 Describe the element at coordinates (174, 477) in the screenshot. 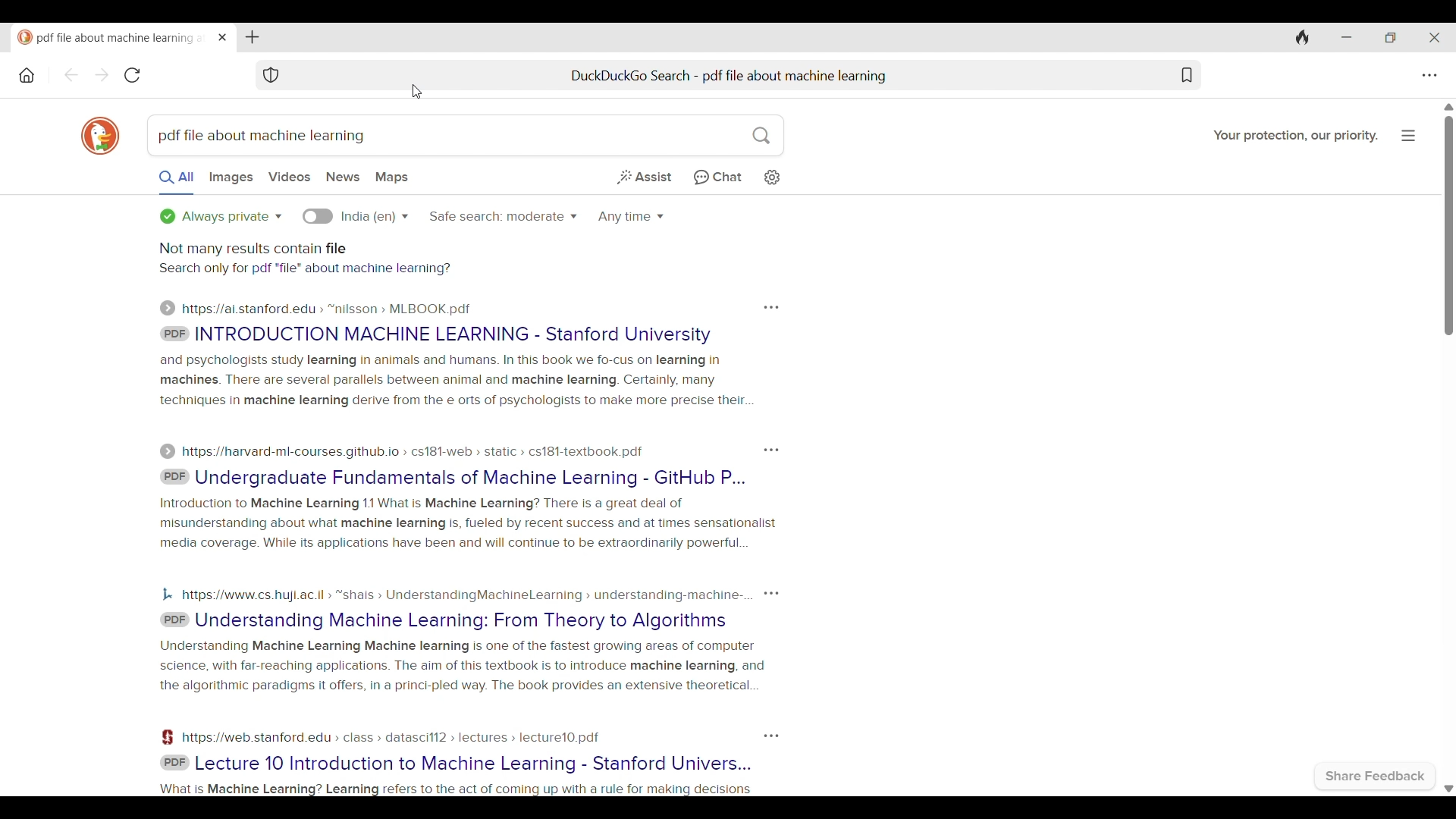

I see `PDF` at that location.